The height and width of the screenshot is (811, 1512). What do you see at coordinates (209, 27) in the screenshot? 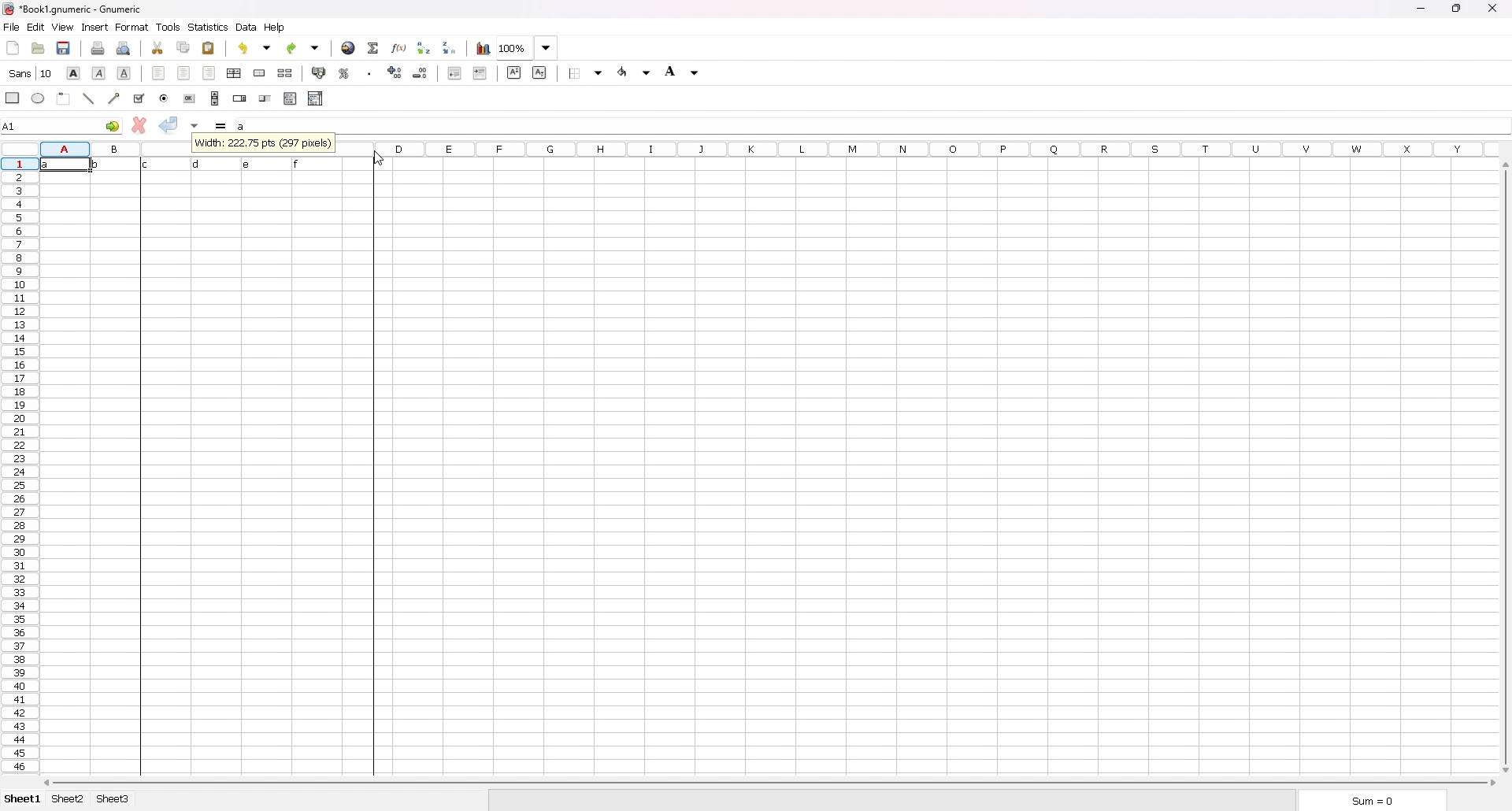
I see `statistics` at bounding box center [209, 27].